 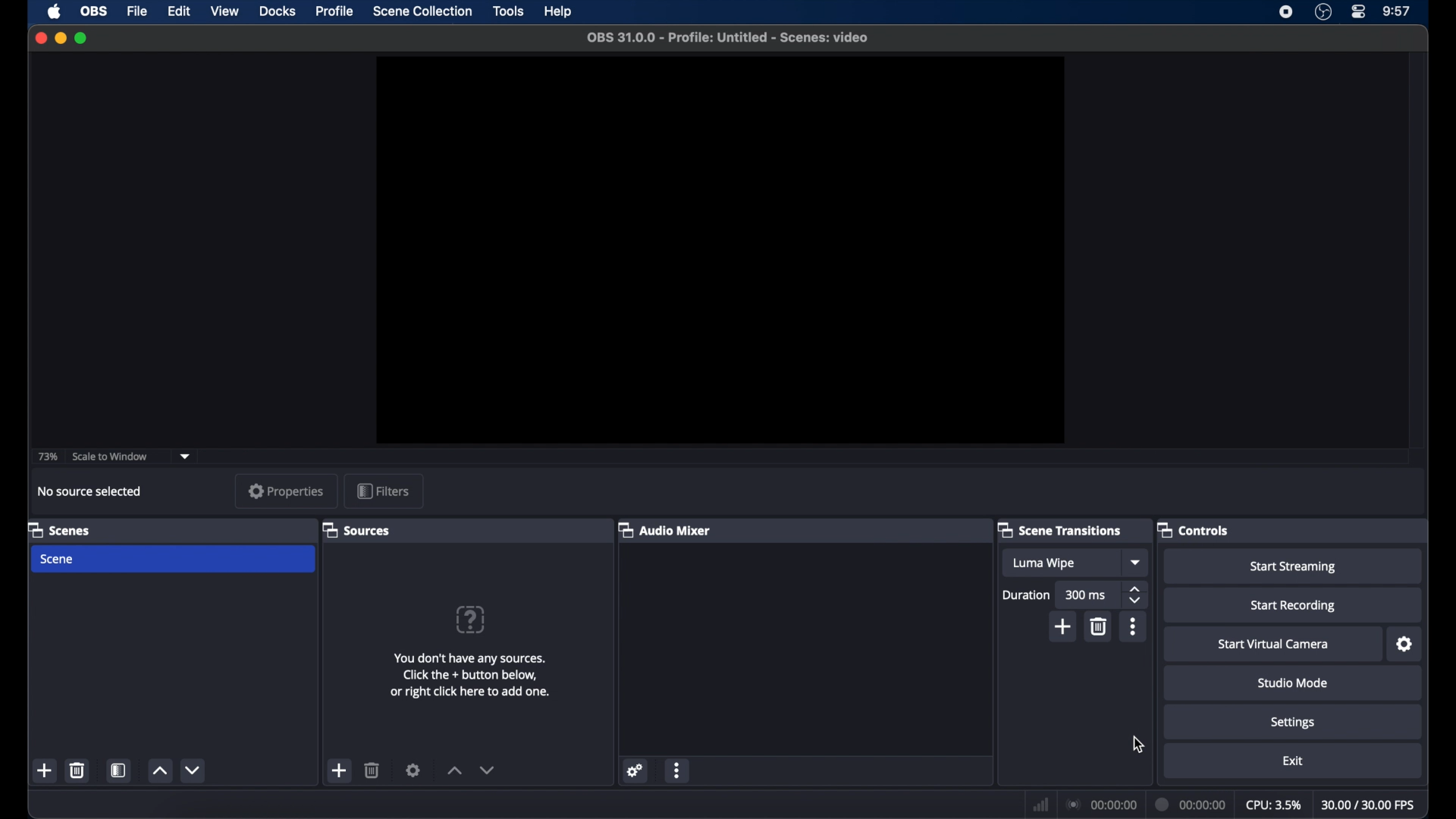 I want to click on decrement, so click(x=194, y=770).